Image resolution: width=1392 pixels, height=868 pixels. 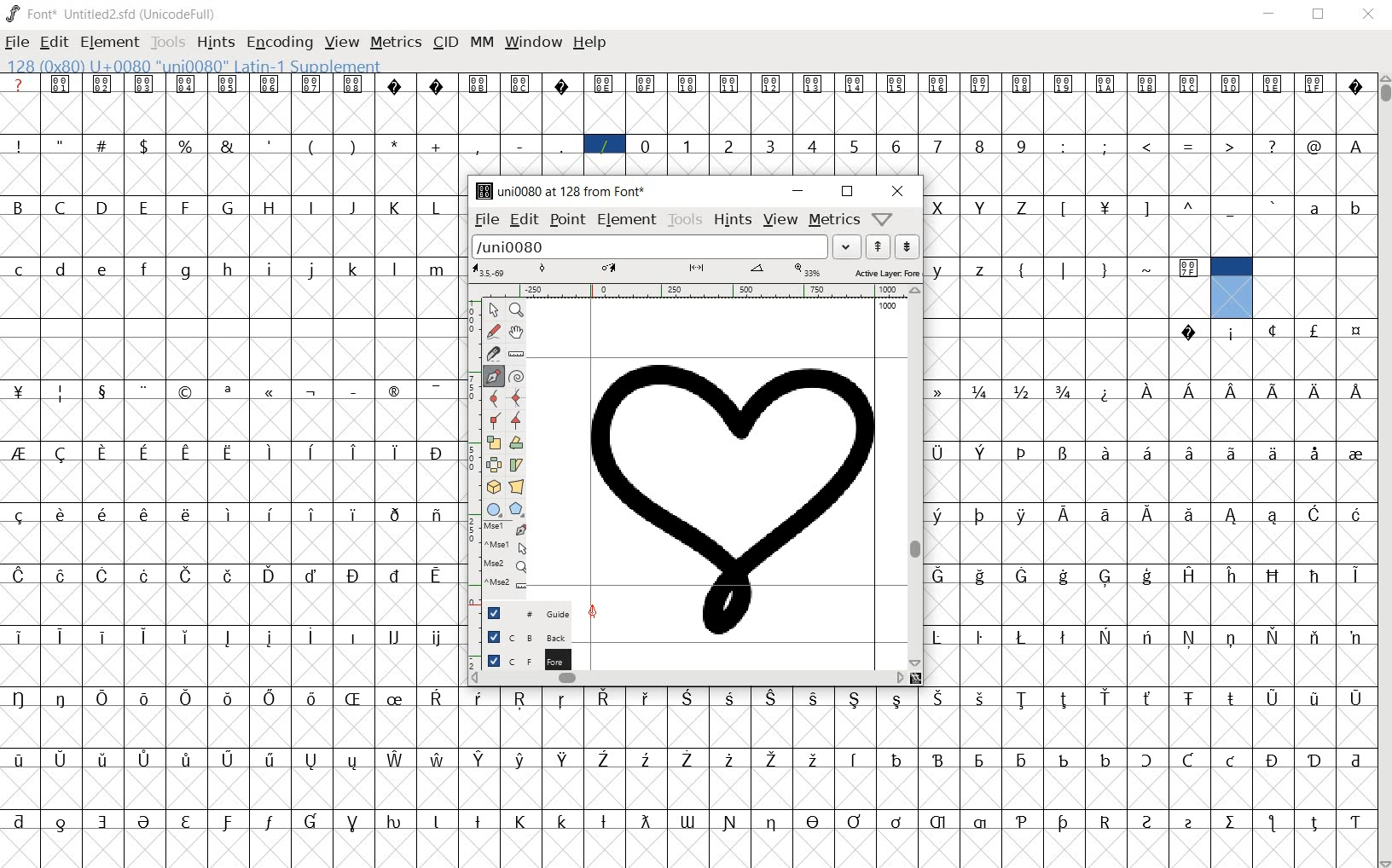 I want to click on glyph, so click(x=854, y=148).